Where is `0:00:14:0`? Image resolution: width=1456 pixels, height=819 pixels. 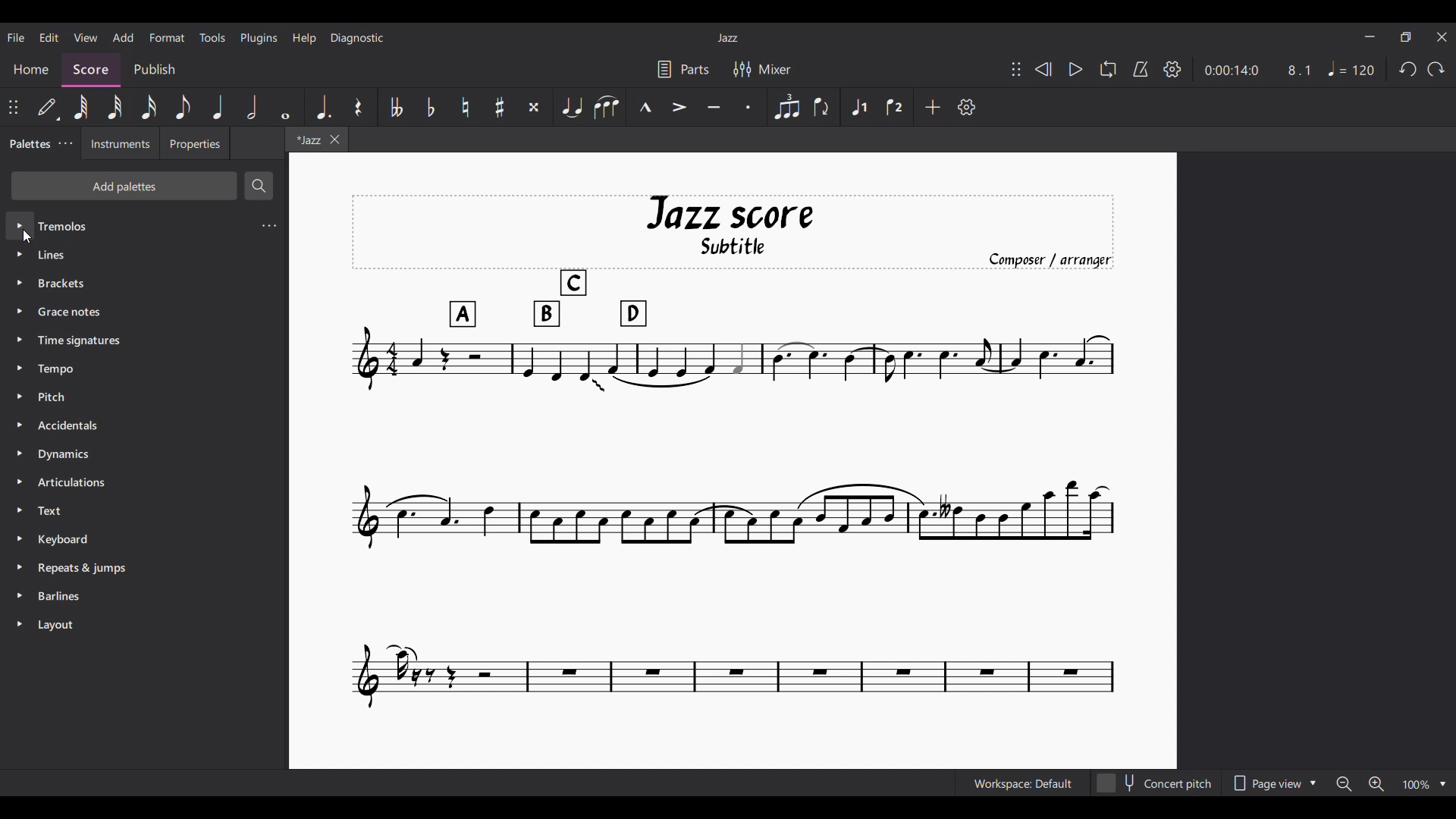
0:00:14:0 is located at coordinates (1232, 69).